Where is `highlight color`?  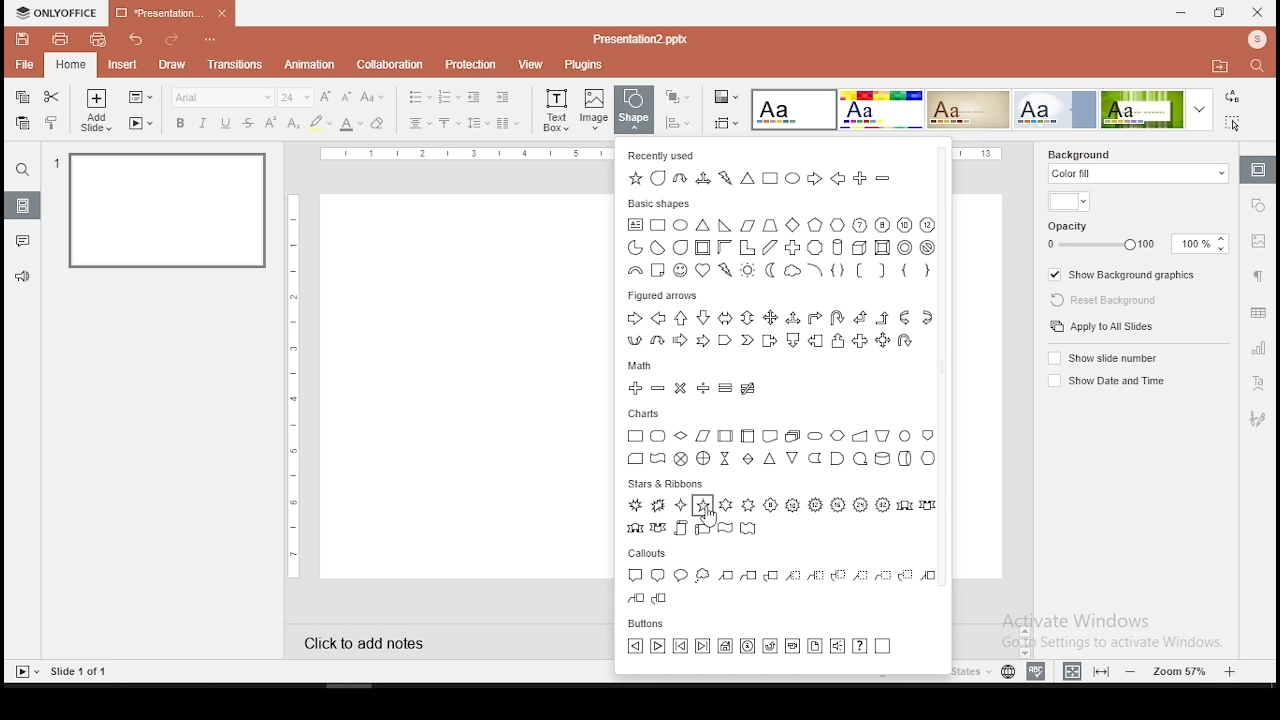 highlight color is located at coordinates (320, 124).